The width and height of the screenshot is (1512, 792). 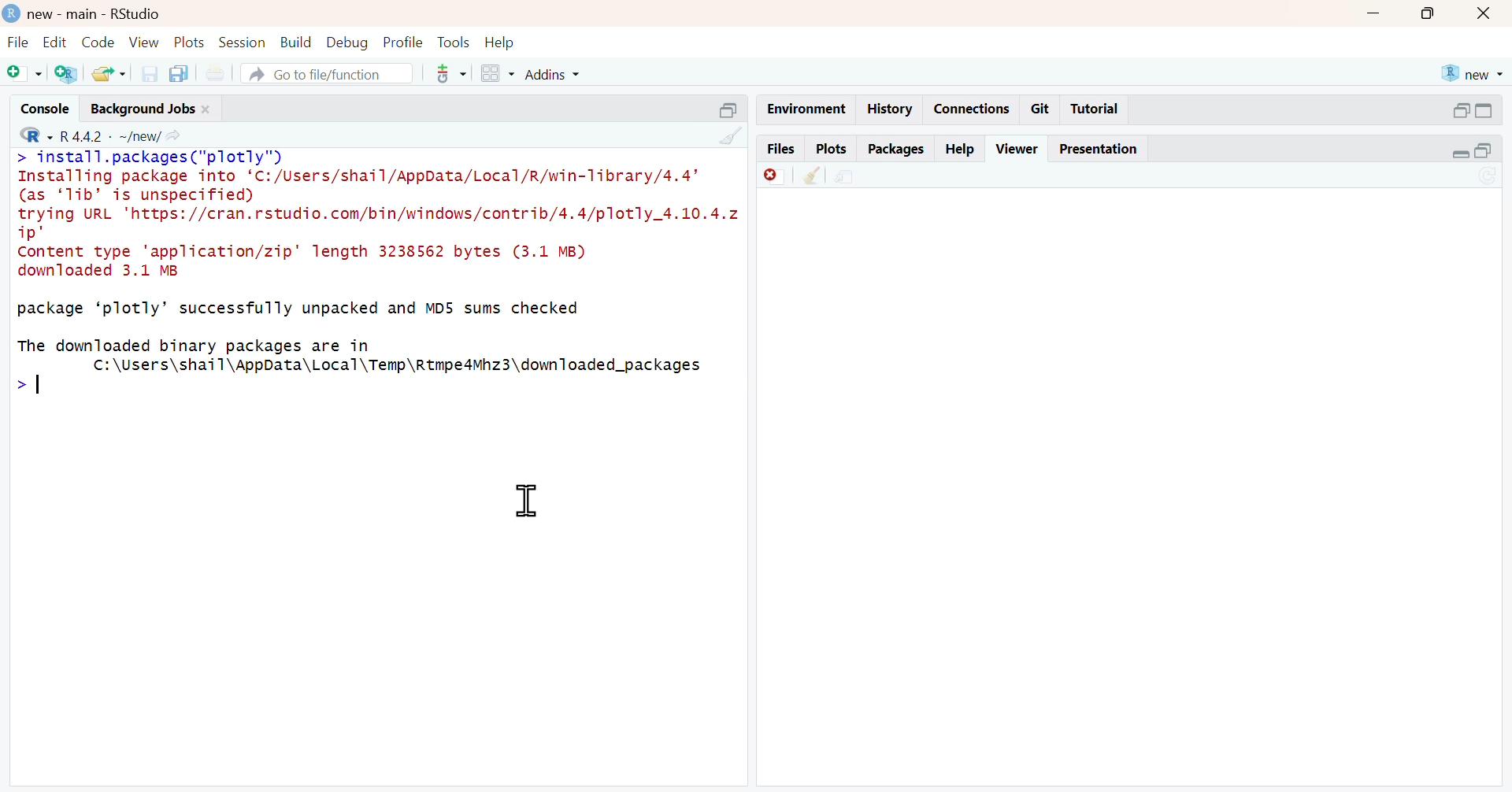 I want to click on open an existing file, so click(x=108, y=74).